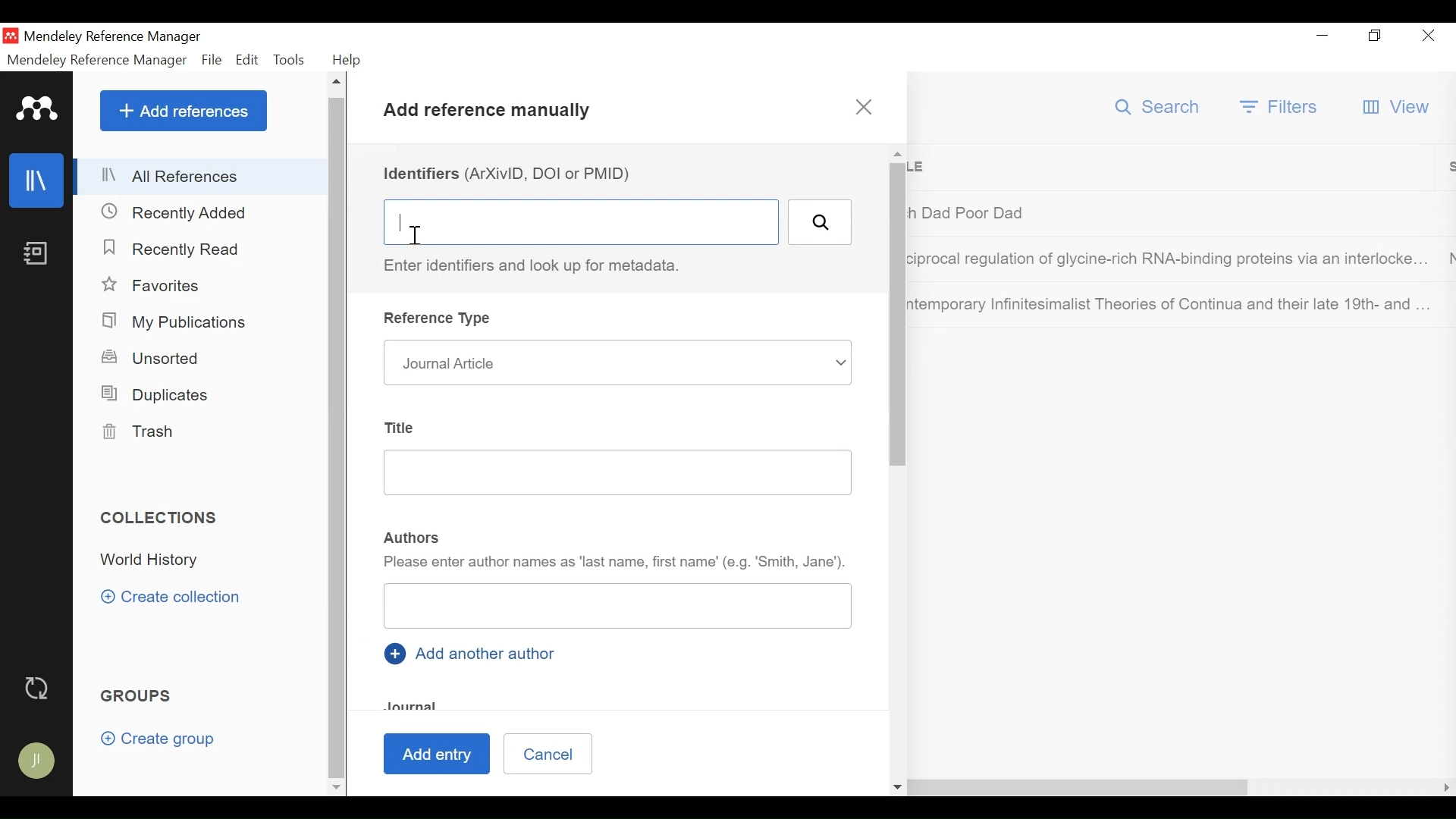  What do you see at coordinates (118, 36) in the screenshot?
I see `Mendeley Reference Manager` at bounding box center [118, 36].